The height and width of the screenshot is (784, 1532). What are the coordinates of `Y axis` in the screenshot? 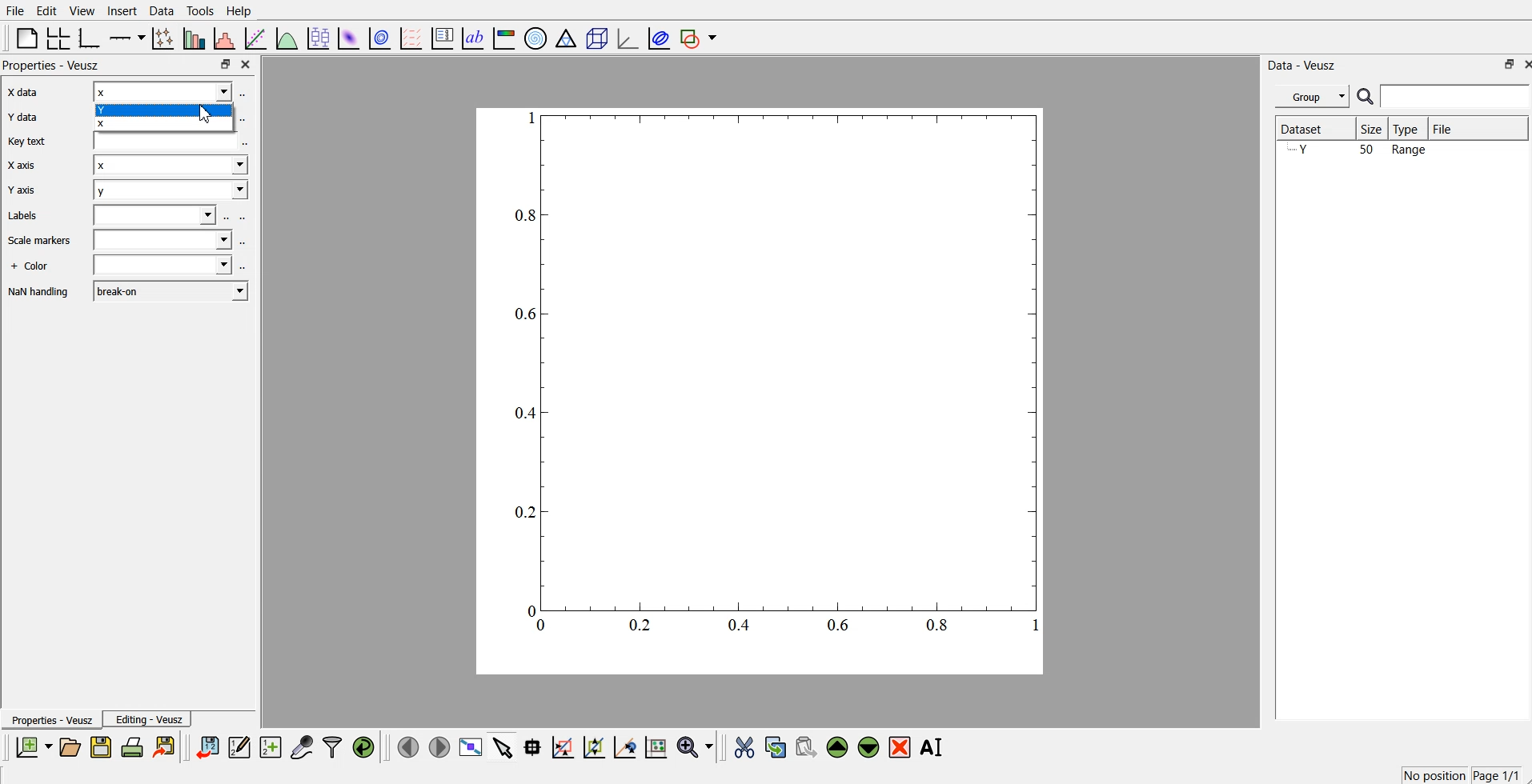 It's located at (28, 190).